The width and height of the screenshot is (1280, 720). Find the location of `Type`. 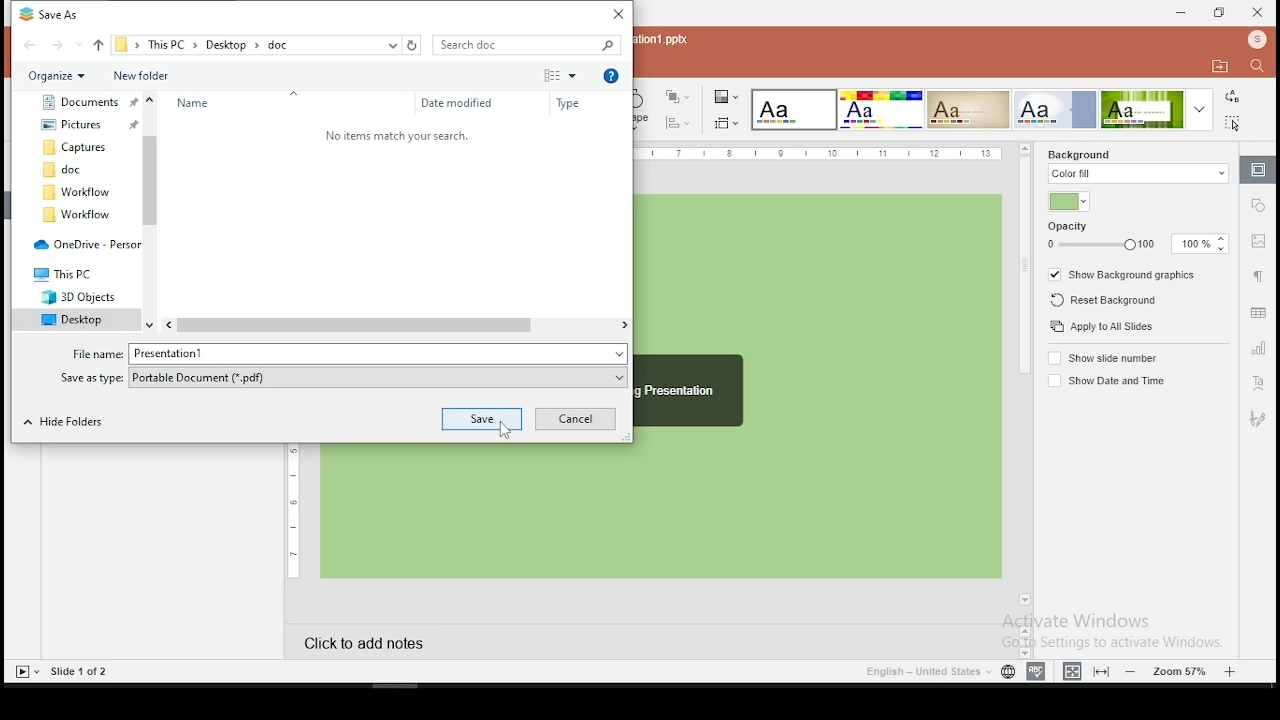

Type is located at coordinates (574, 103).